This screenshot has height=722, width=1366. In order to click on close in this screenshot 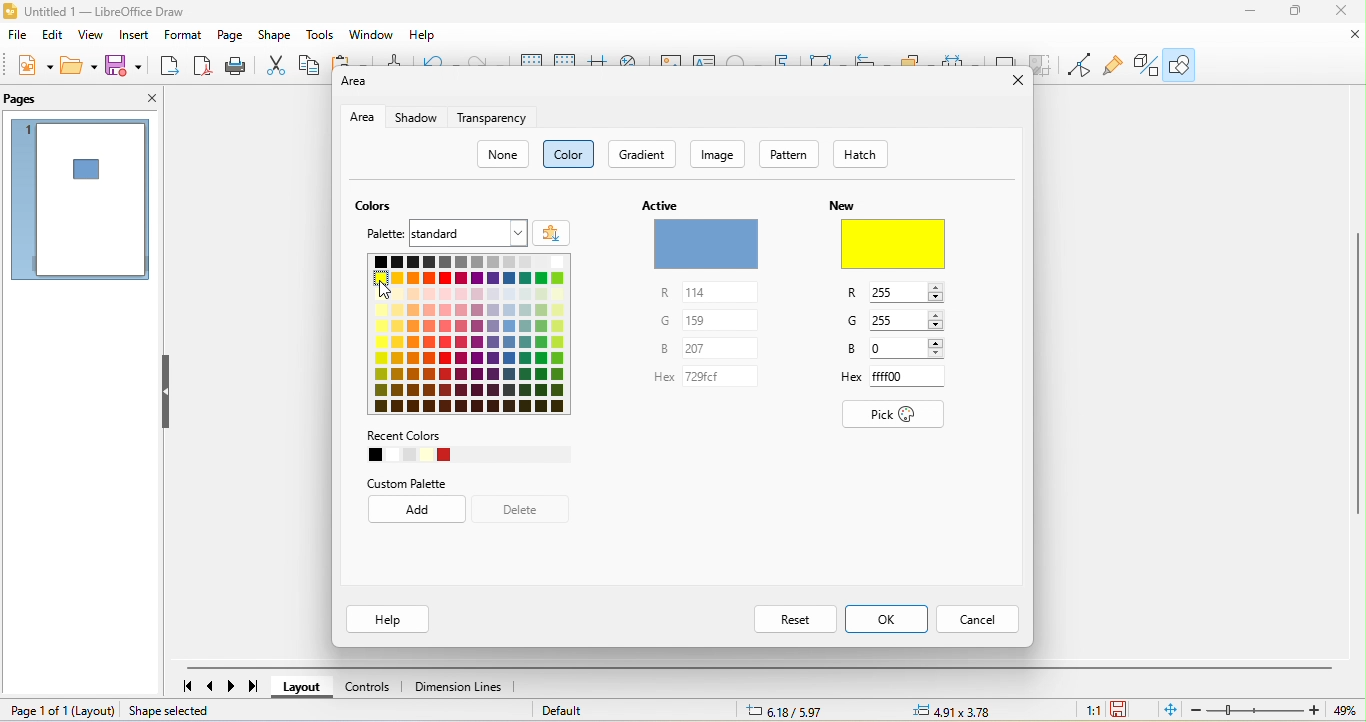, I will do `click(1015, 81)`.